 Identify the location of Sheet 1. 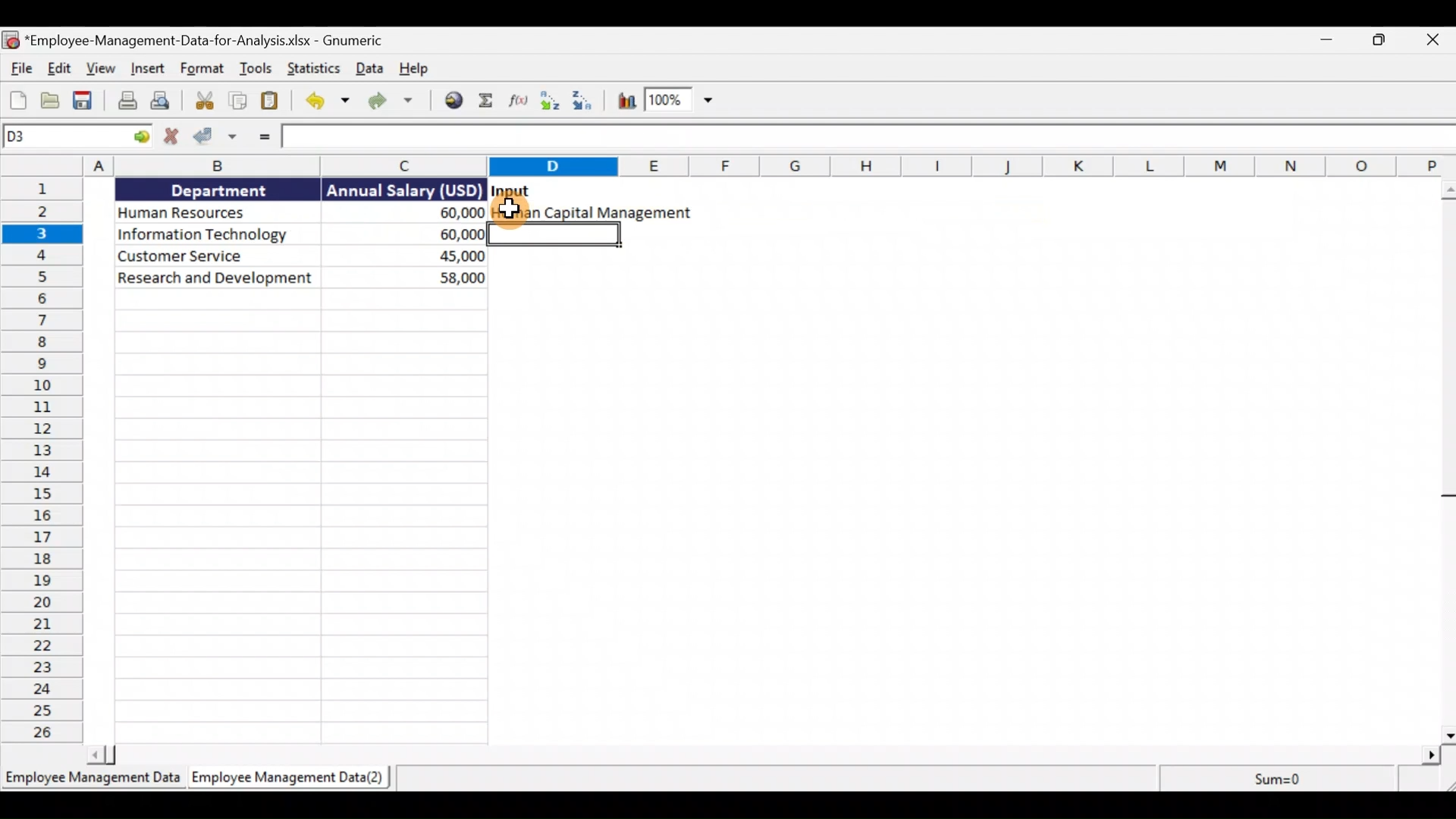
(90, 777).